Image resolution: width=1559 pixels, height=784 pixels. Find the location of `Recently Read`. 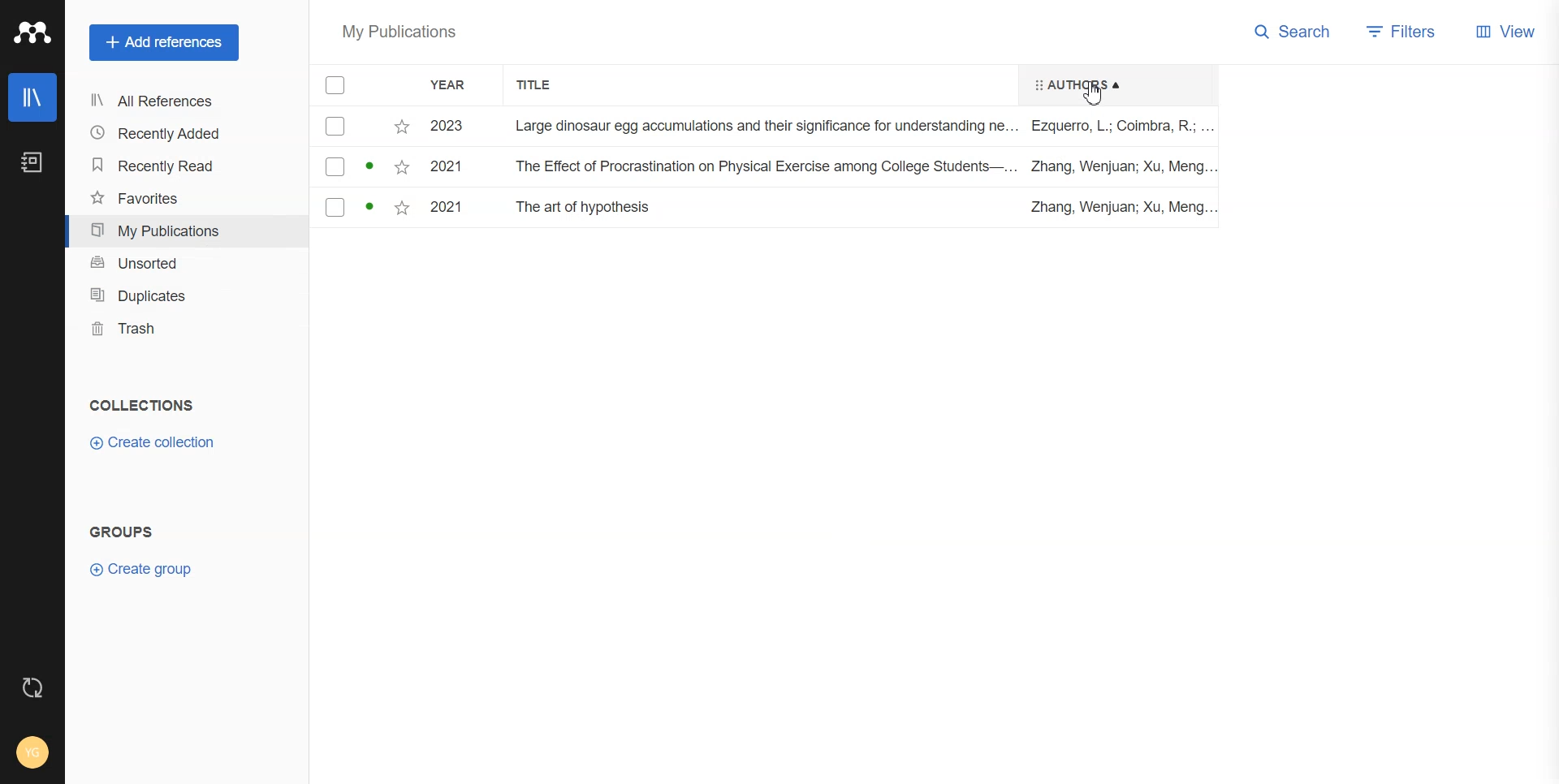

Recently Read is located at coordinates (179, 166).